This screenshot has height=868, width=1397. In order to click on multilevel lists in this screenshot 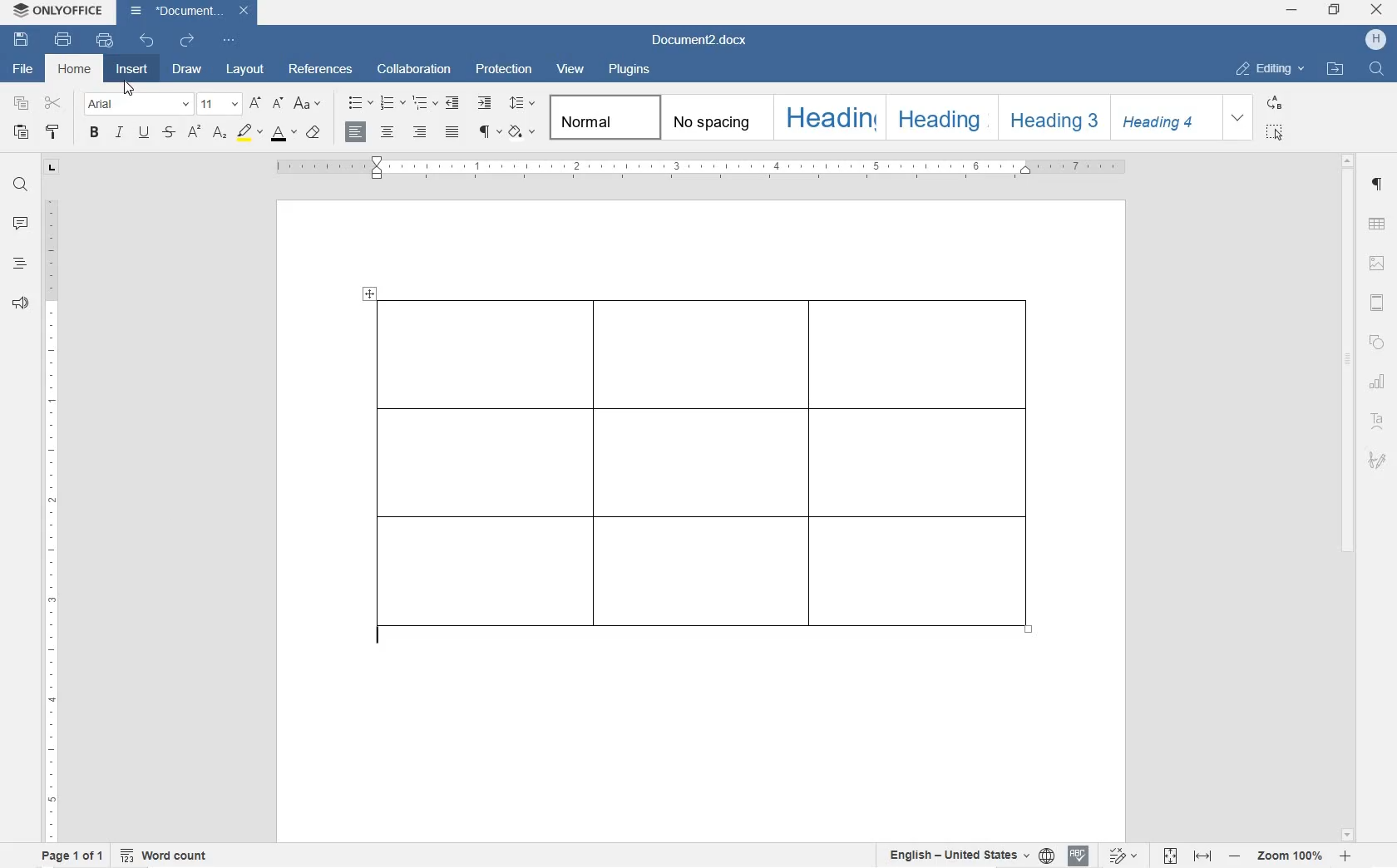, I will do `click(422, 104)`.